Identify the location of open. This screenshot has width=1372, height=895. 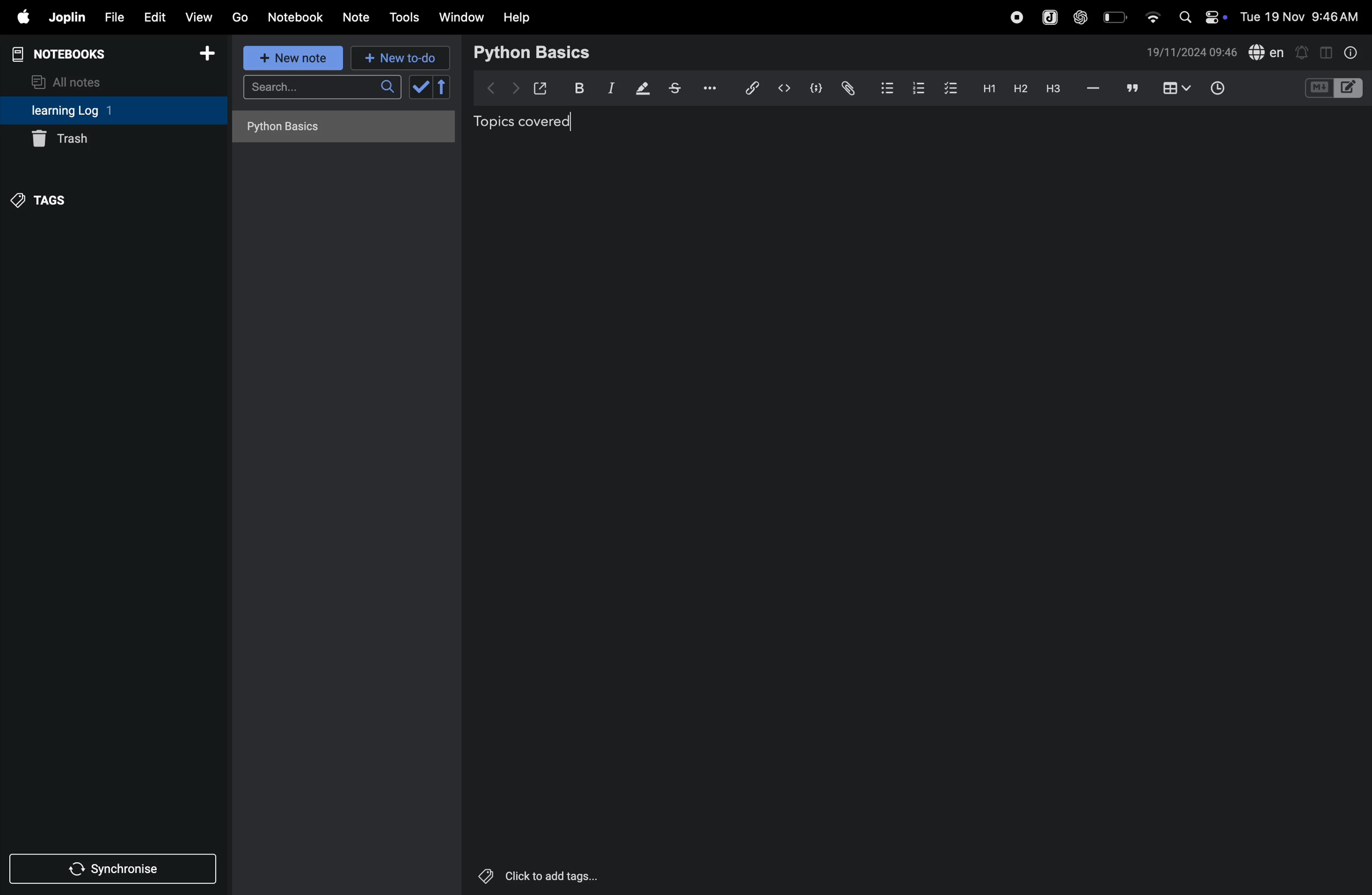
(541, 88).